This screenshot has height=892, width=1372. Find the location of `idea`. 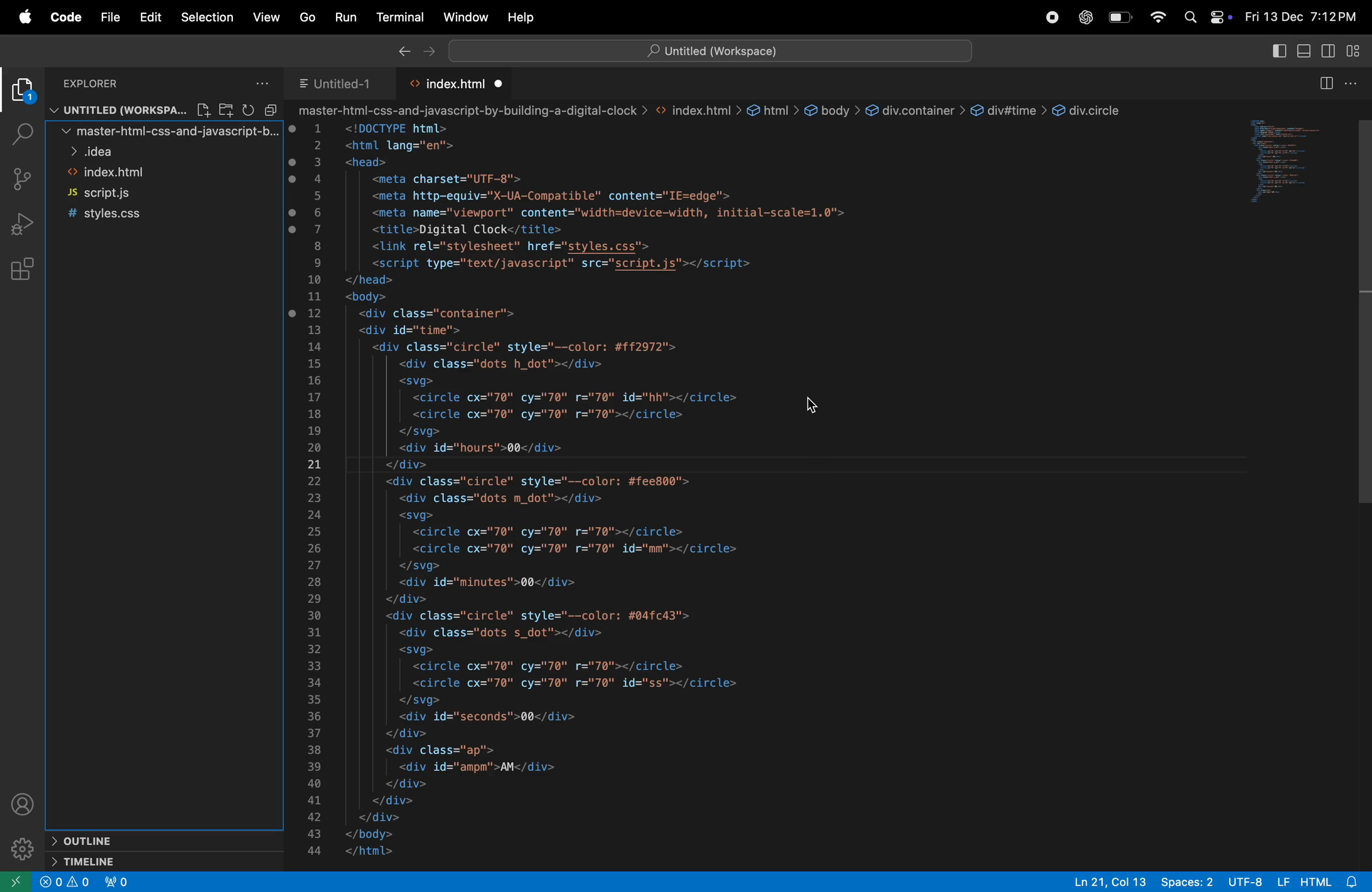

idea is located at coordinates (160, 153).